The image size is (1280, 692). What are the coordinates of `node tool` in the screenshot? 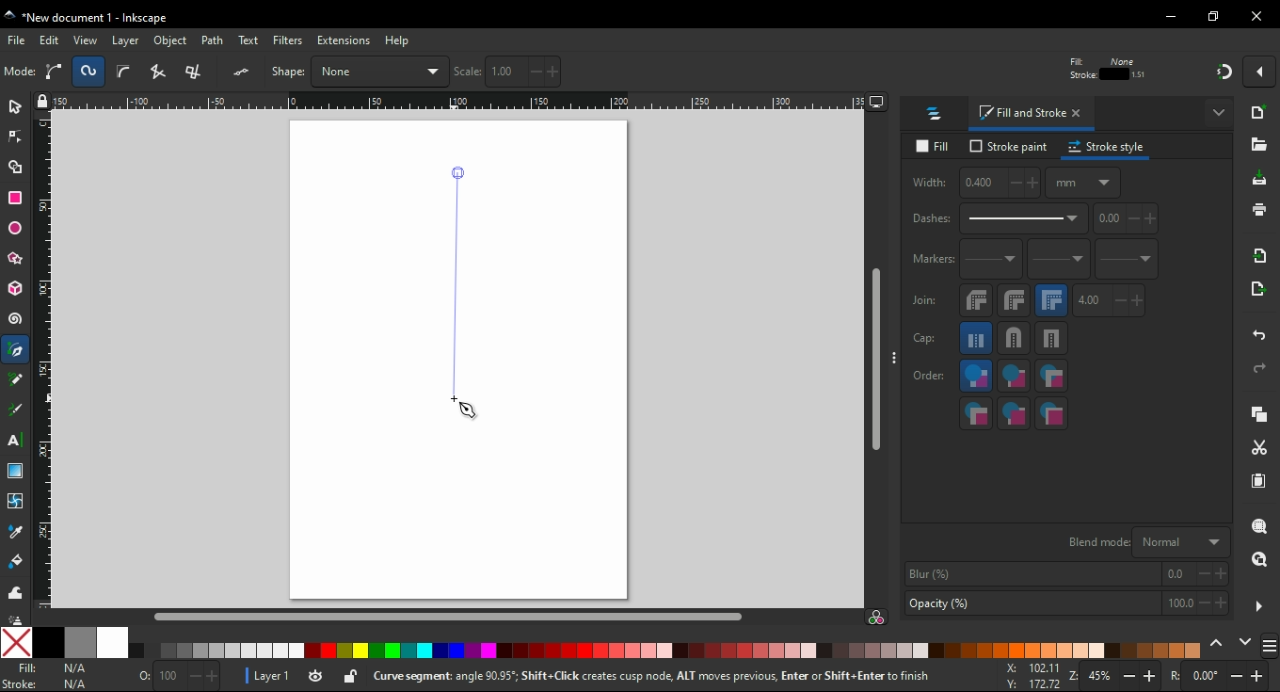 It's located at (16, 135).